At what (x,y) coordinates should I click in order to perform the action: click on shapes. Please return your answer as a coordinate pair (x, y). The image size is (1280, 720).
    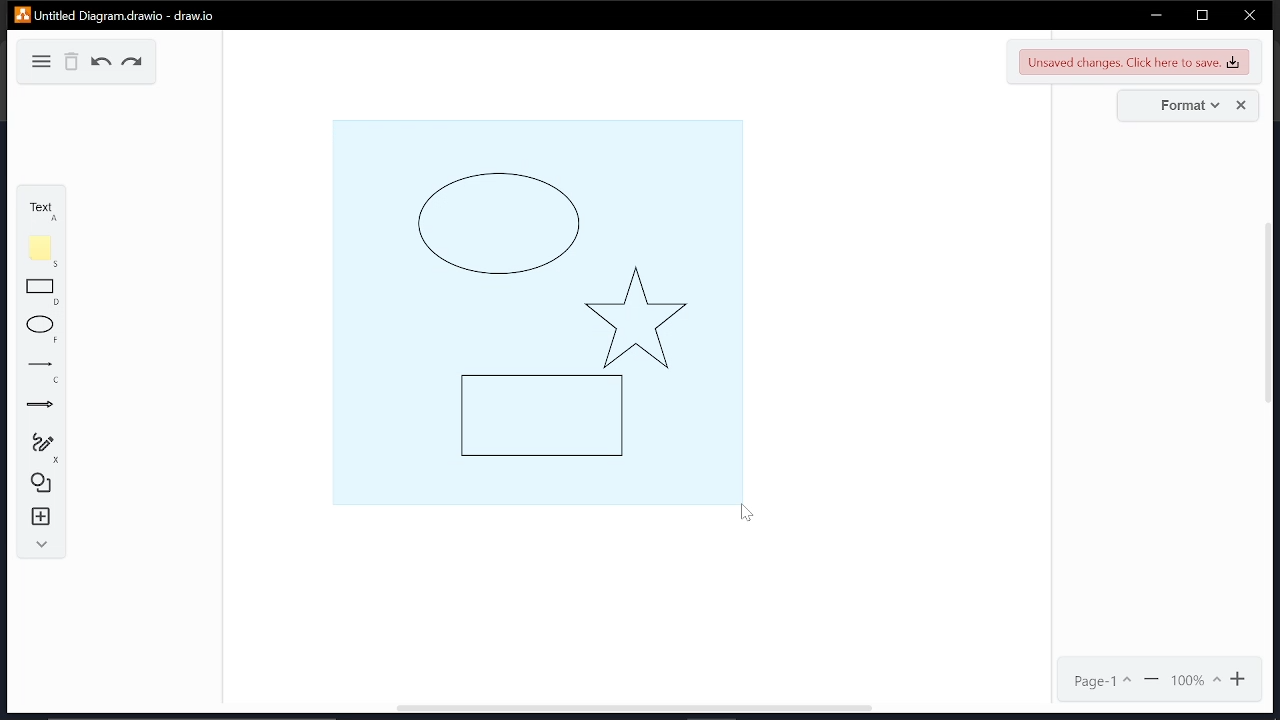
    Looking at the image, I should click on (42, 481).